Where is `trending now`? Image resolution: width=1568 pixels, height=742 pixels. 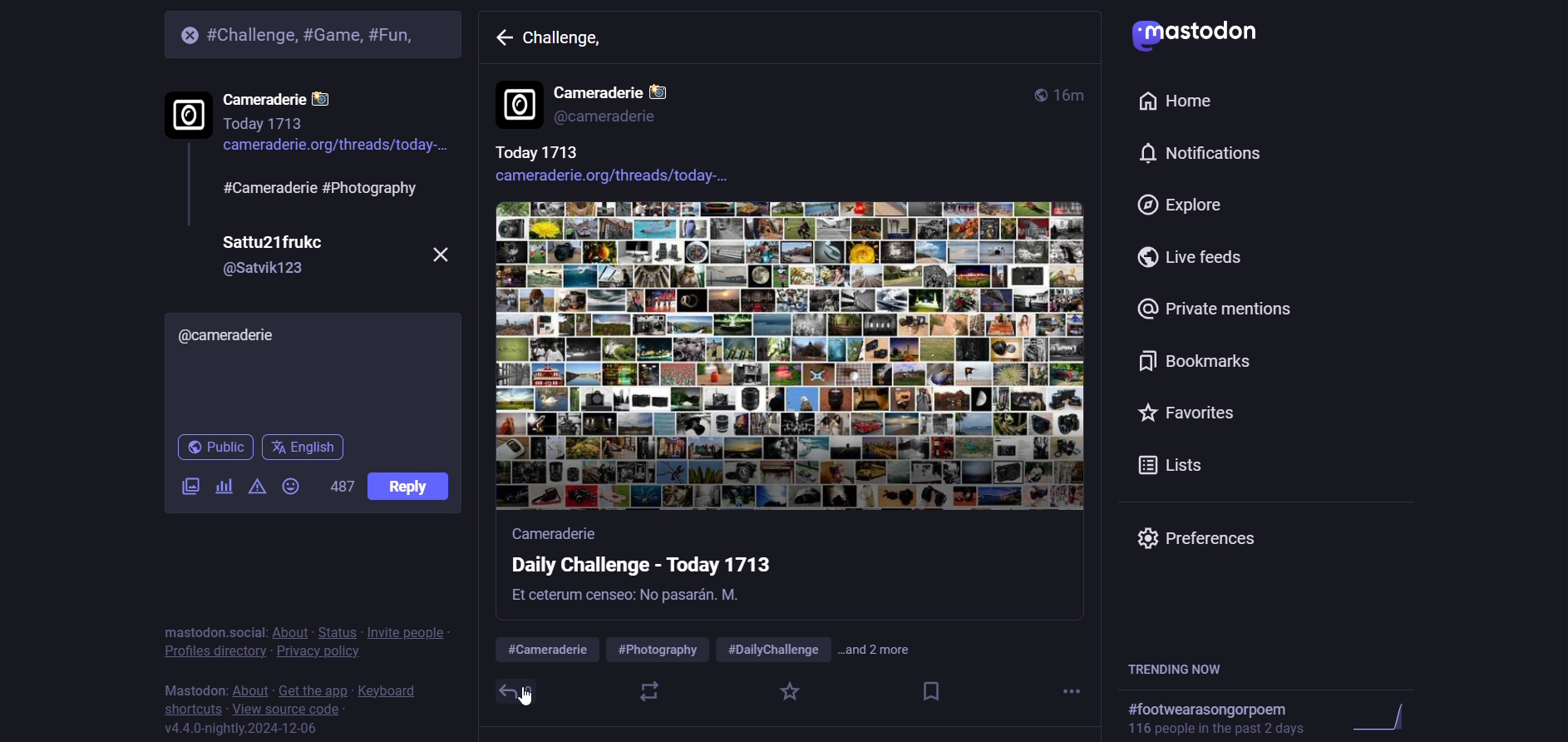
trending now is located at coordinates (1184, 668).